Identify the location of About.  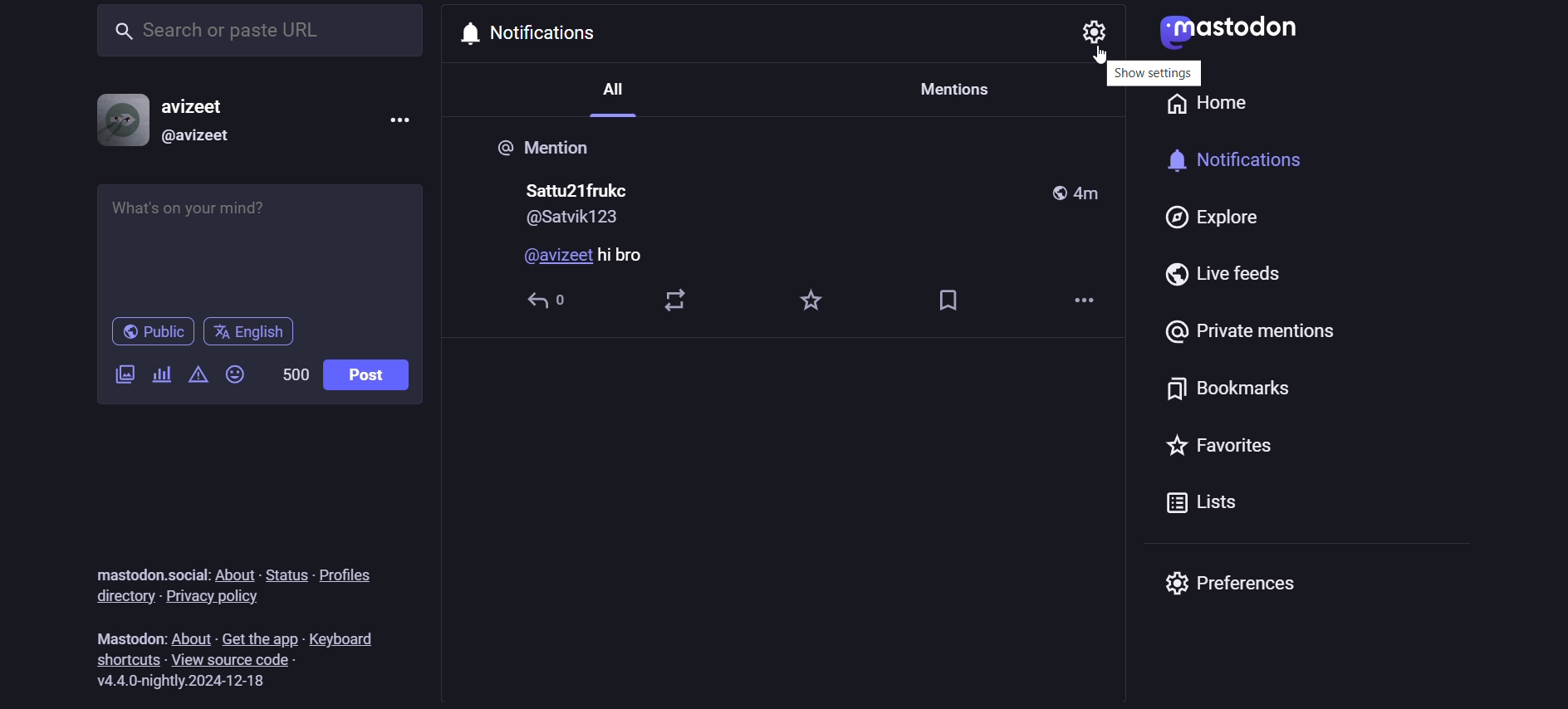
(234, 572).